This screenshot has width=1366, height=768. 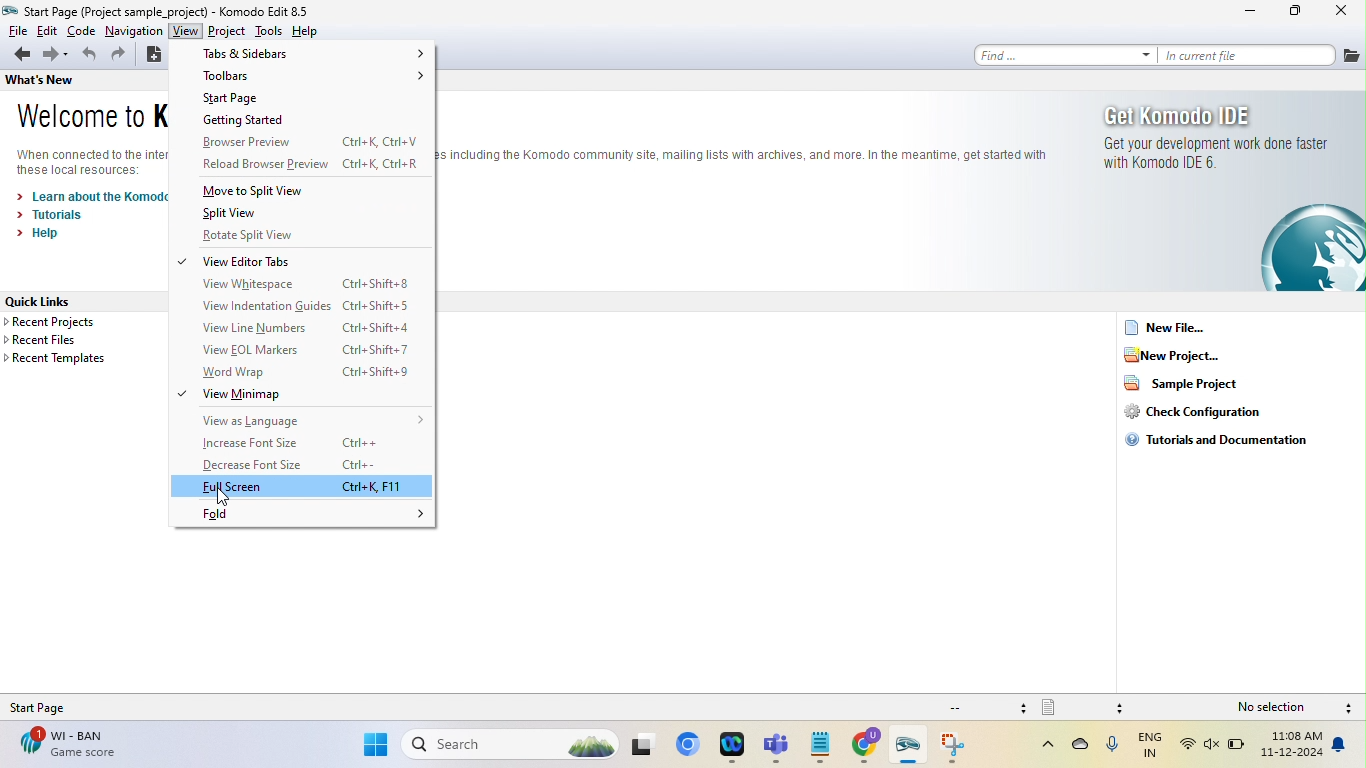 I want to click on one drive, so click(x=1081, y=748).